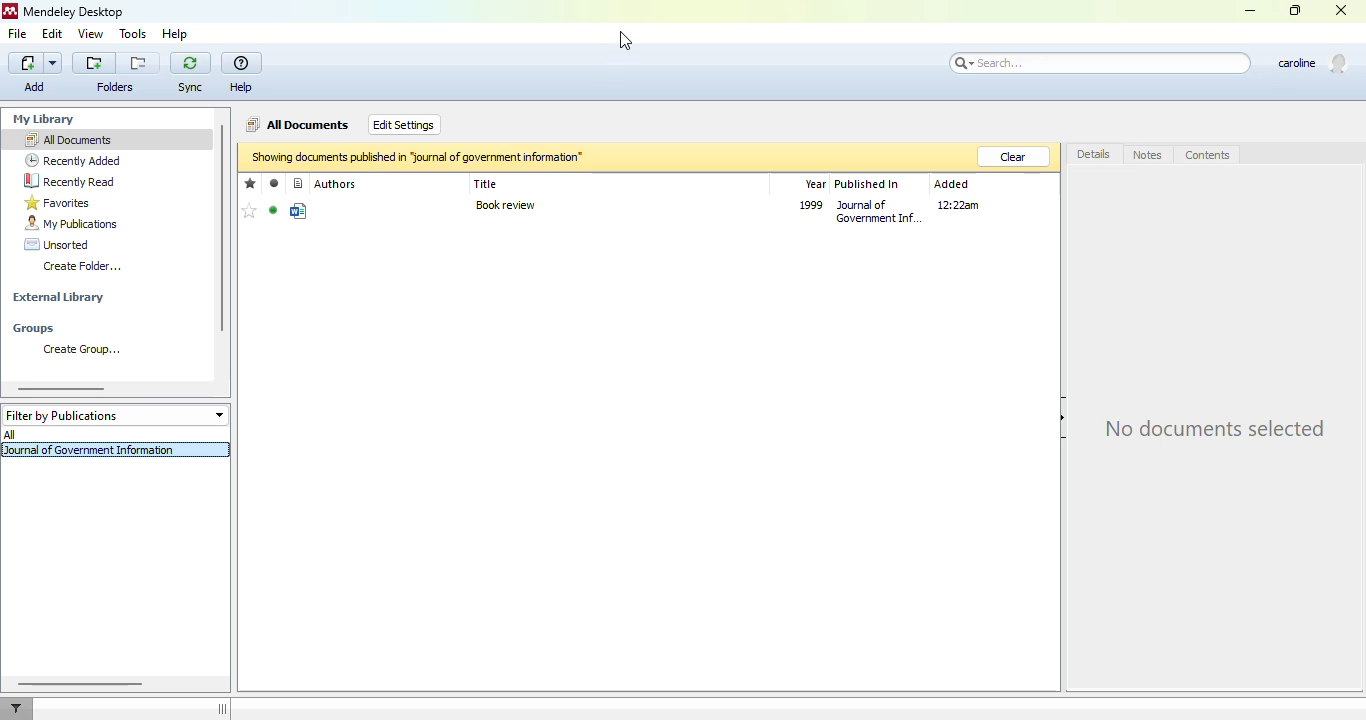 This screenshot has height=720, width=1366. Describe the element at coordinates (1065, 417) in the screenshot. I see `hide` at that location.